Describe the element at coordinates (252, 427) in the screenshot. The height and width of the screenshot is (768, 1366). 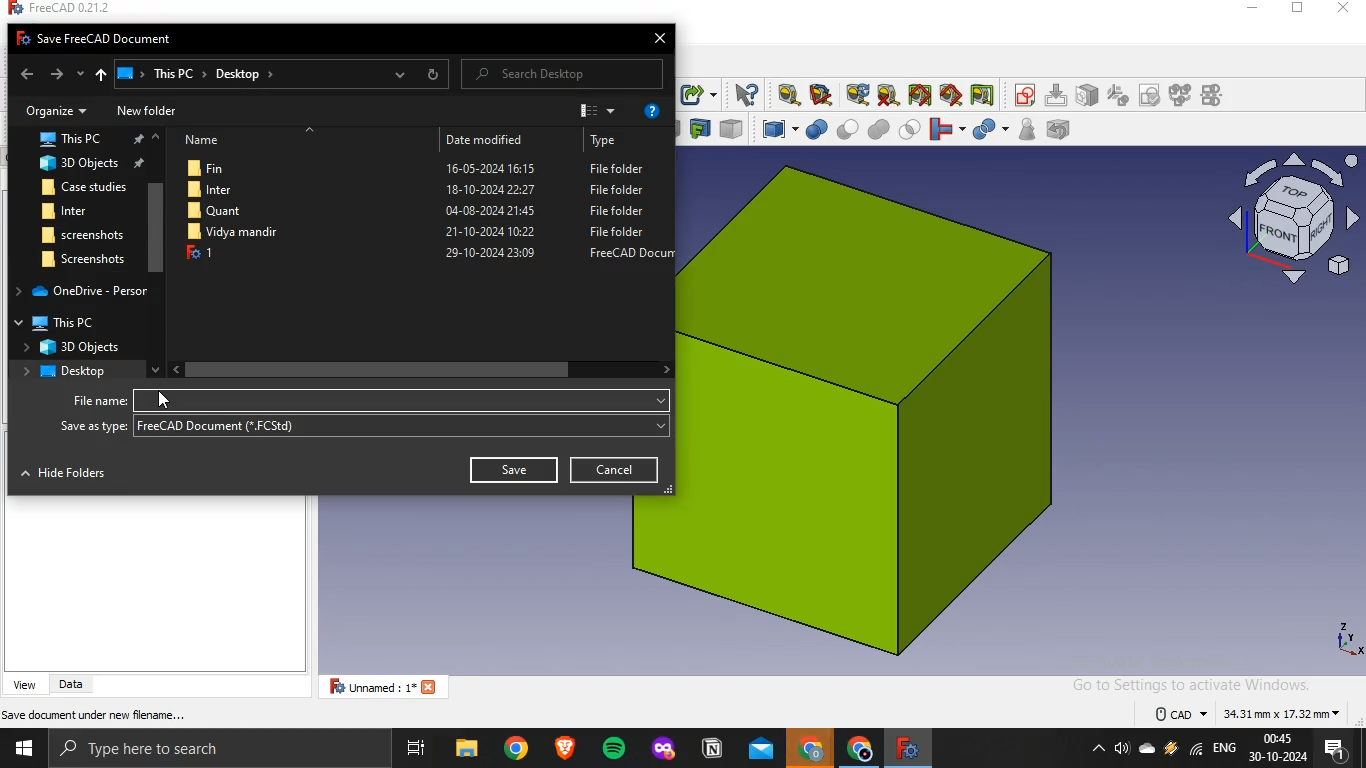
I see `freecad document` at that location.